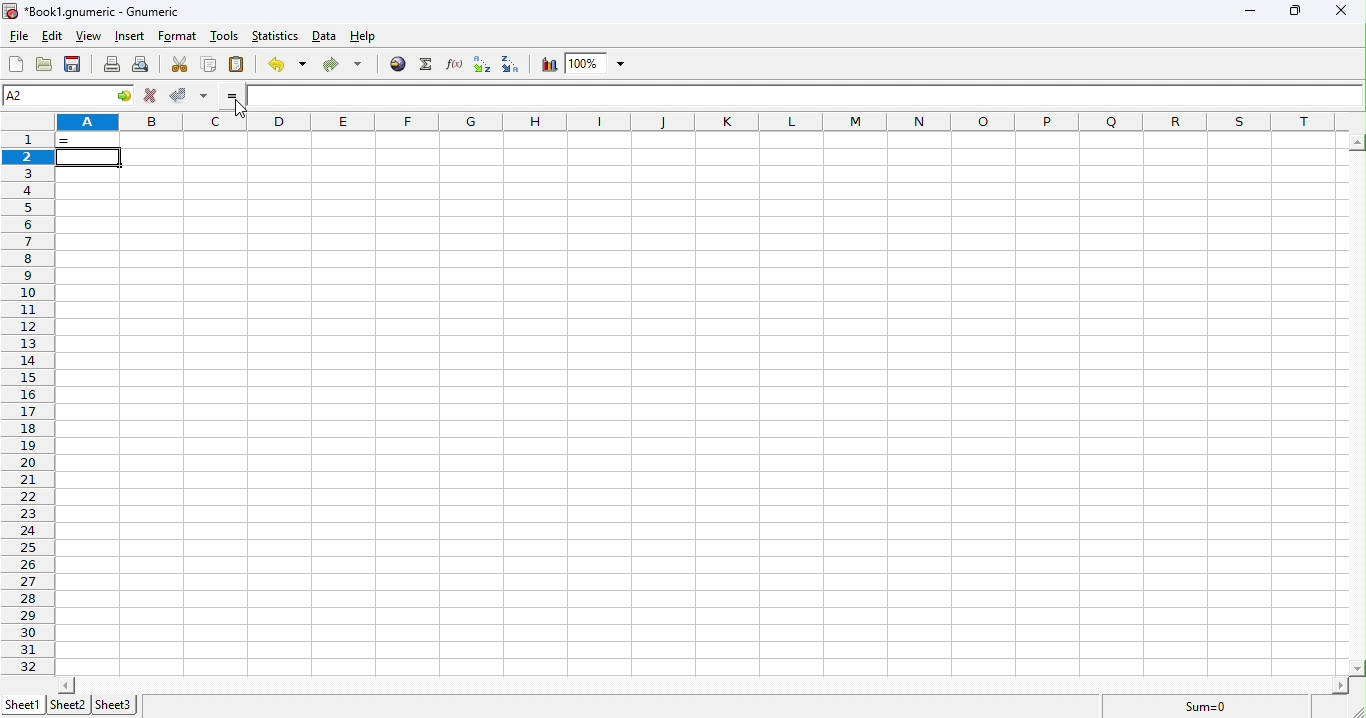 The height and width of the screenshot is (718, 1366). What do you see at coordinates (695, 685) in the screenshot?
I see `space for horizontal scroll bar` at bounding box center [695, 685].